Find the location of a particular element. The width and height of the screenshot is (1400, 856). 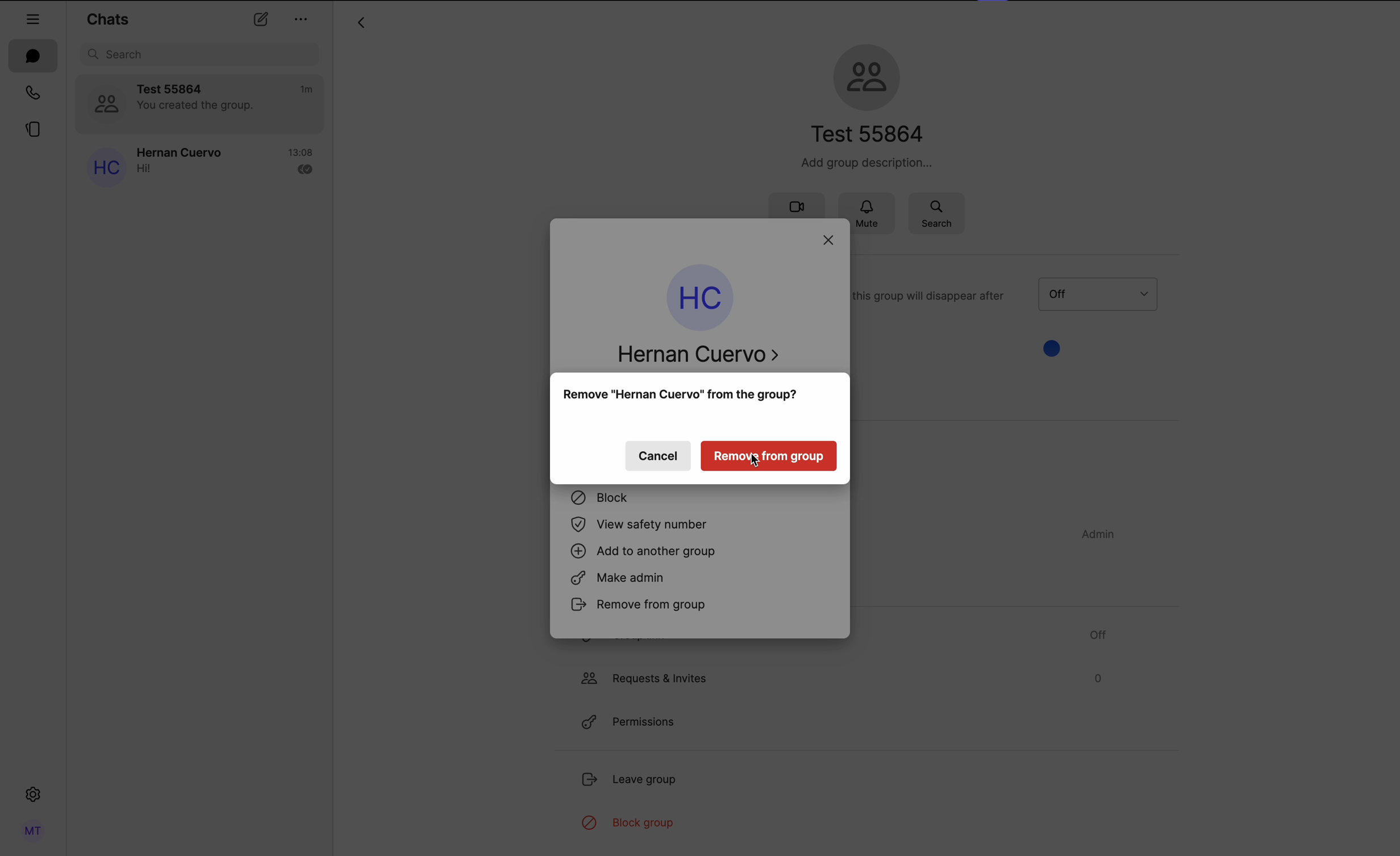

search bar is located at coordinates (202, 54).